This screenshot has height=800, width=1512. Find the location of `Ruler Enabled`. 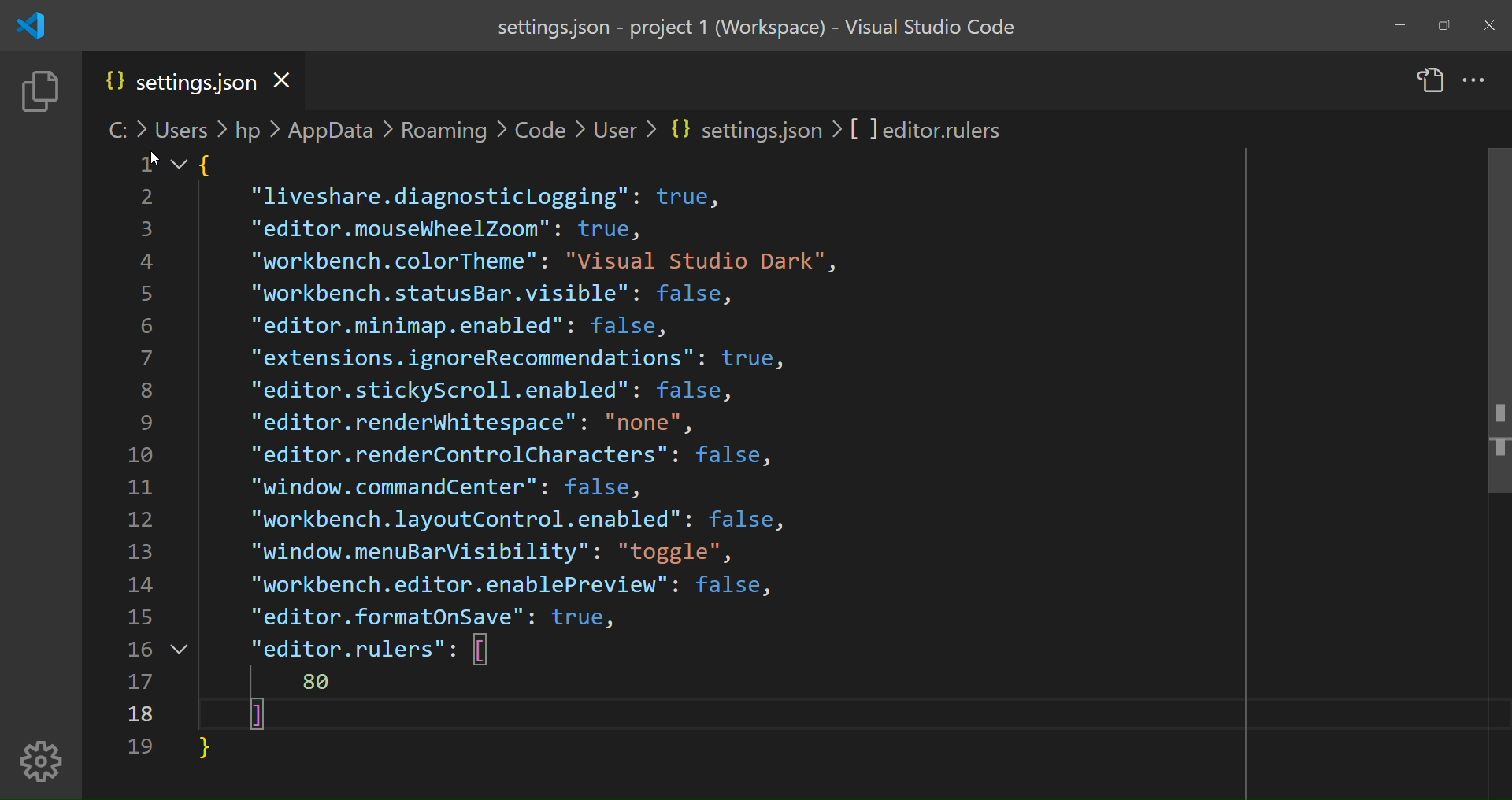

Ruler Enabled is located at coordinates (1244, 471).